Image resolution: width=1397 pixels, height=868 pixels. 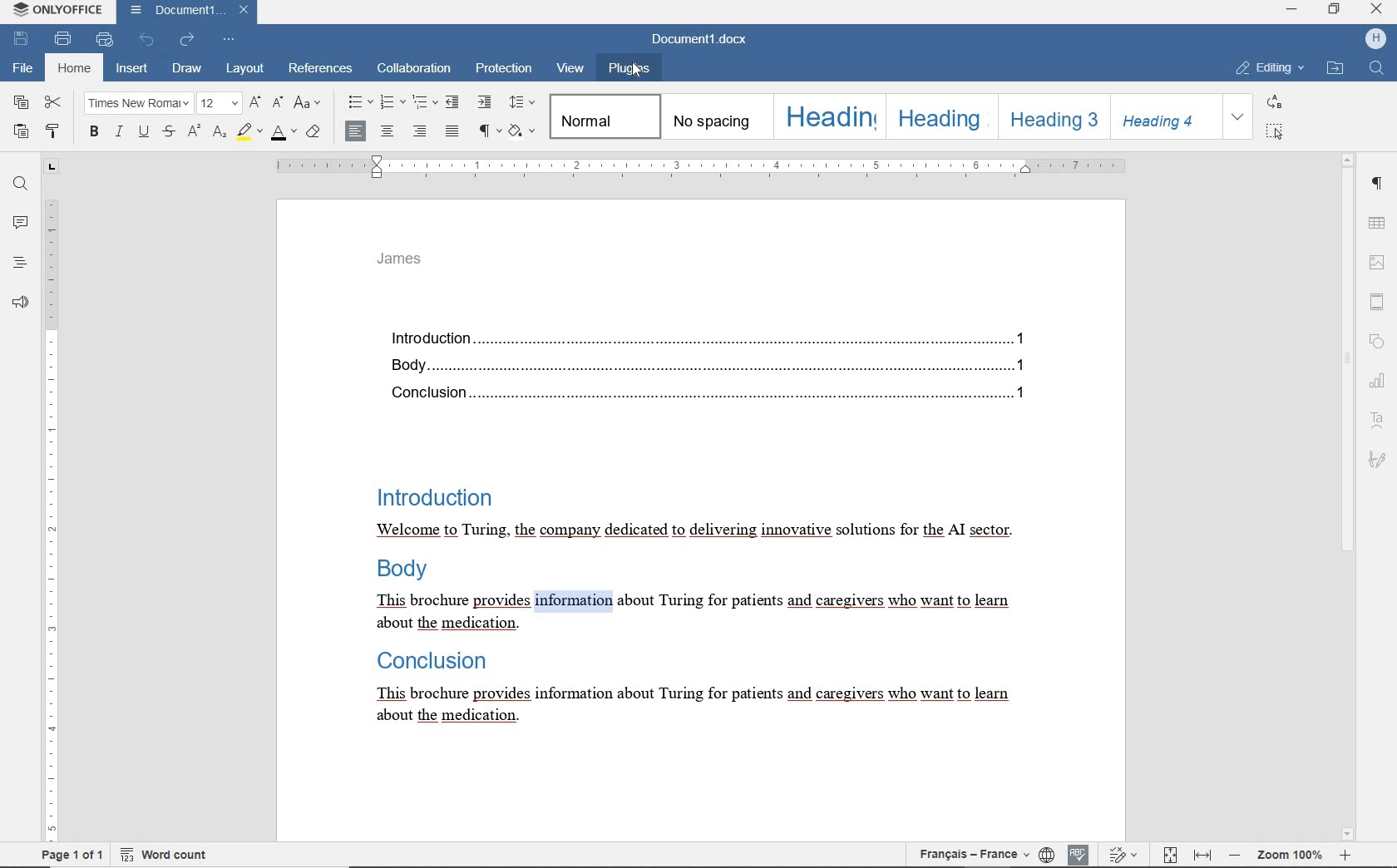 I want to click on FILE, so click(x=24, y=70).